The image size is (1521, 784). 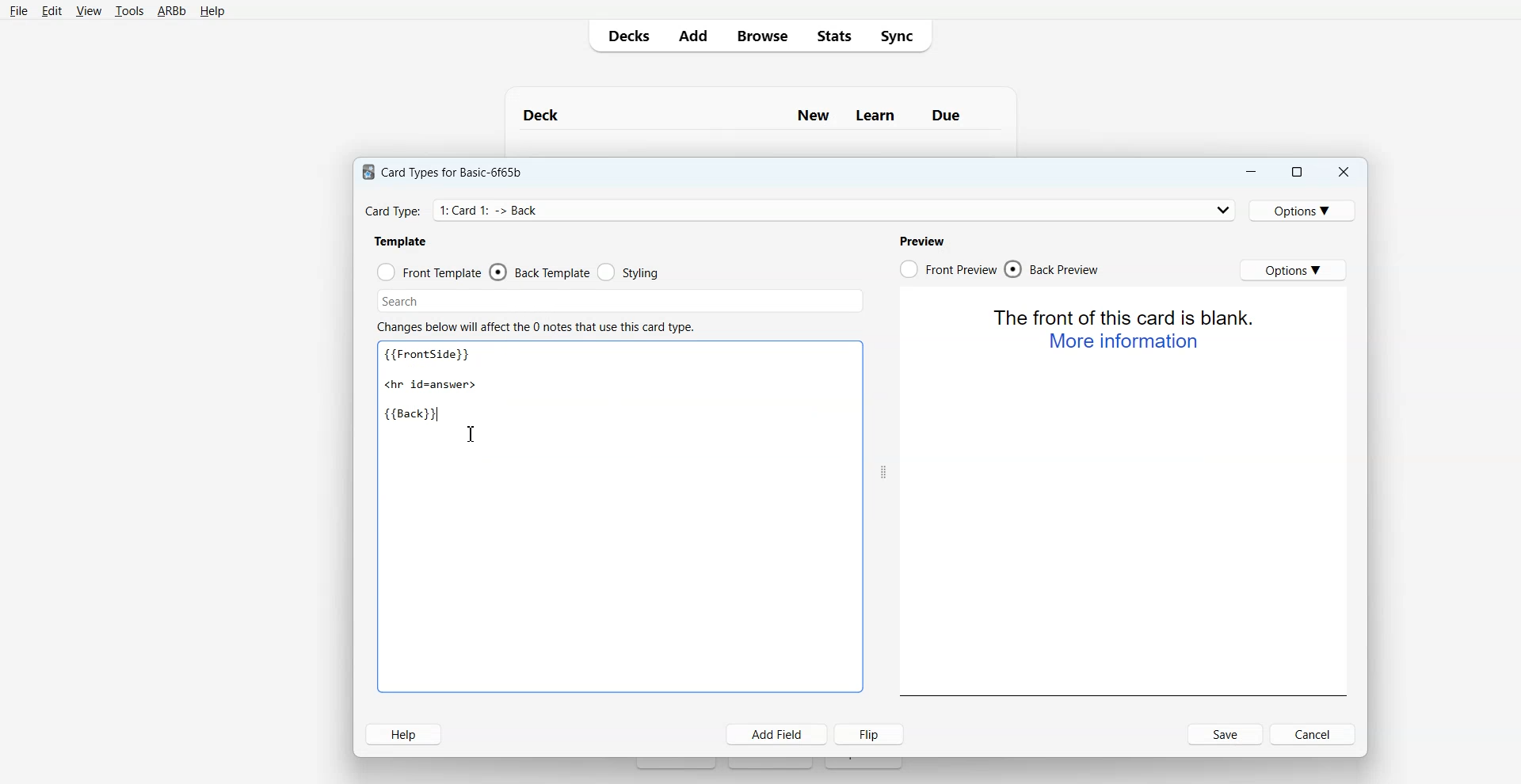 What do you see at coordinates (947, 268) in the screenshot?
I see `Front Preview` at bounding box center [947, 268].